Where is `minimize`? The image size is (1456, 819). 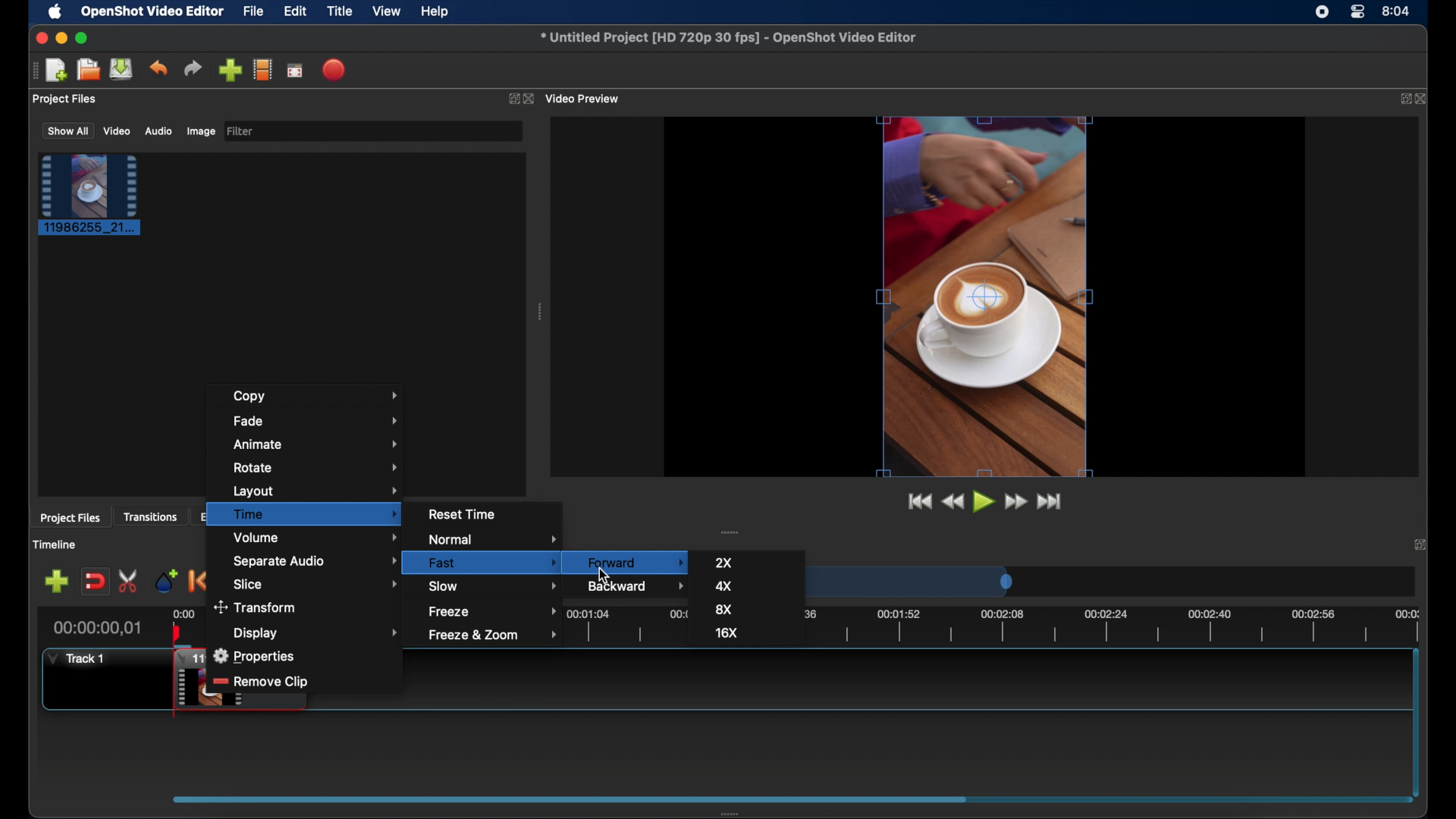 minimize is located at coordinates (61, 38).